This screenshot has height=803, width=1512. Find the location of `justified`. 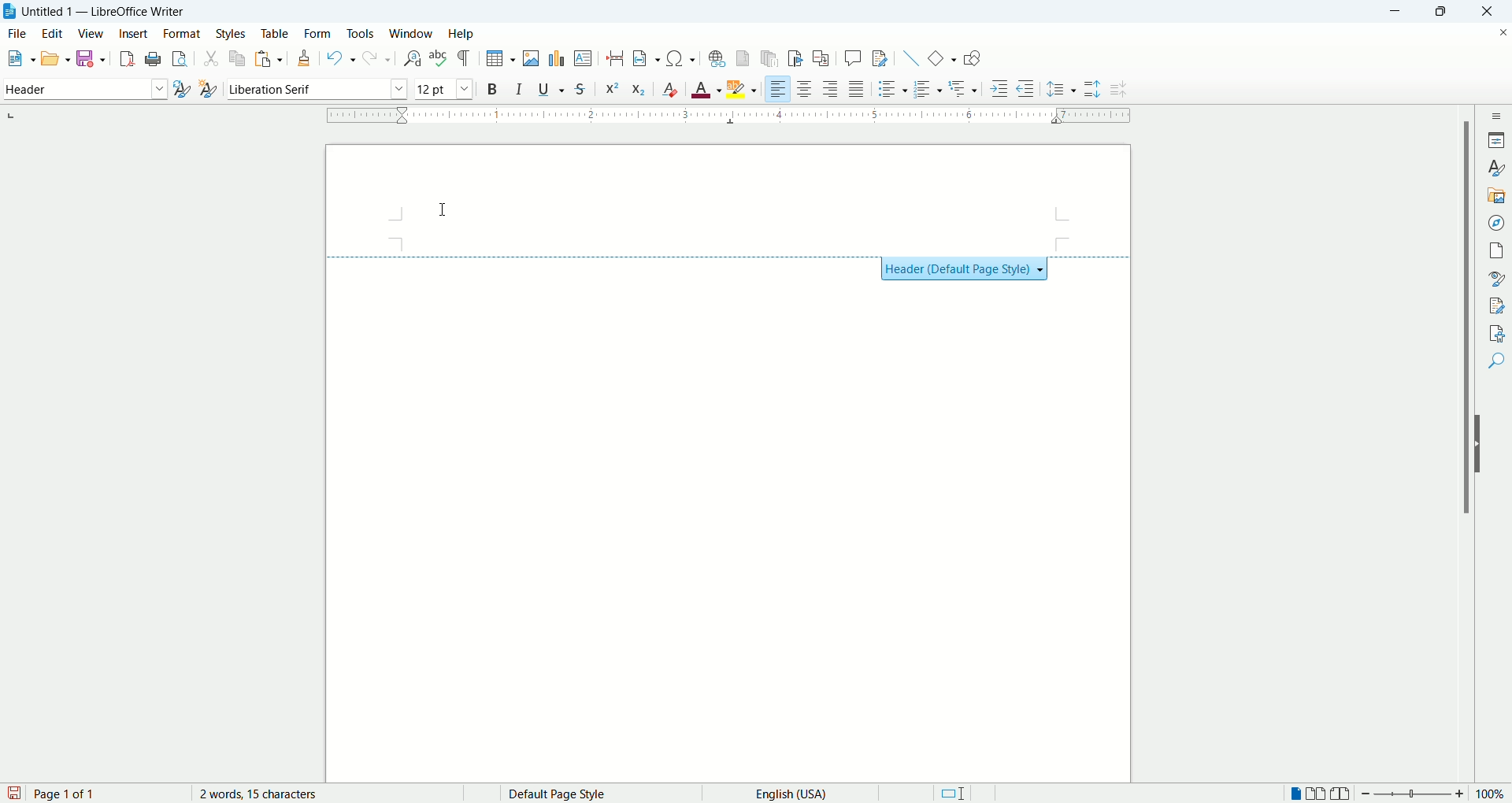

justified is located at coordinates (857, 90).